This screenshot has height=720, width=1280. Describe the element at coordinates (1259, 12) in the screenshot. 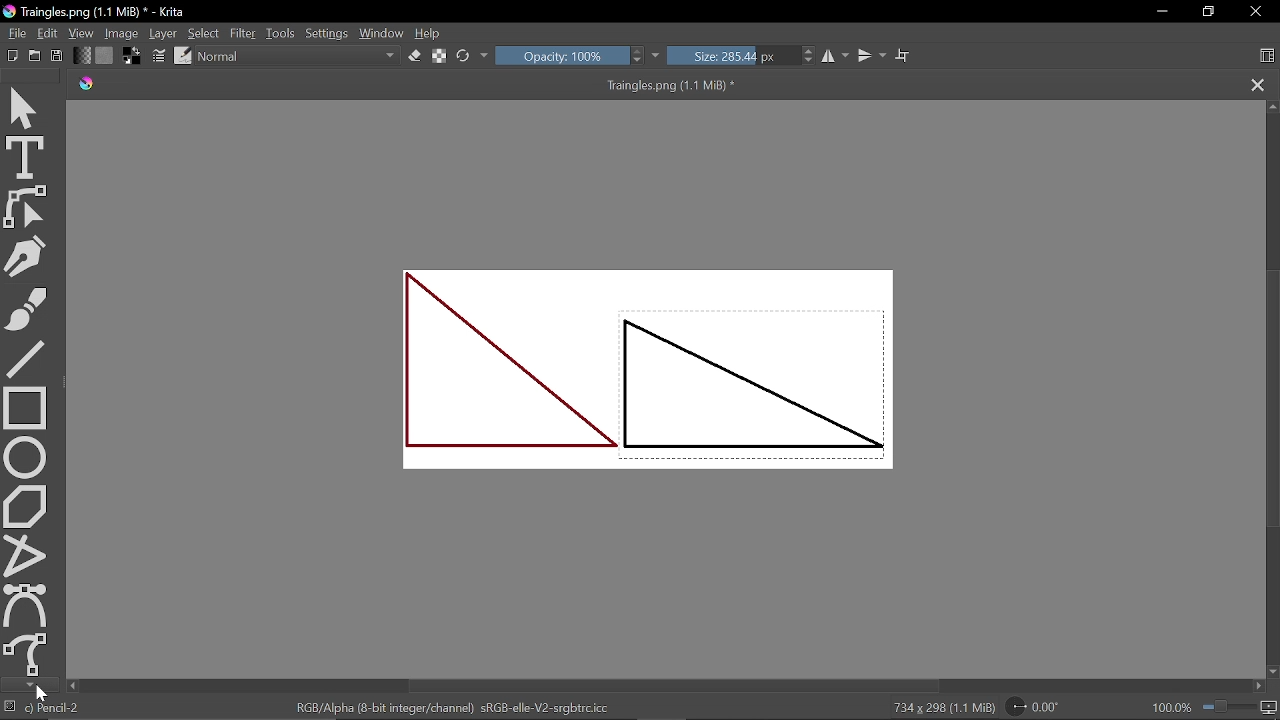

I see `Close` at that location.